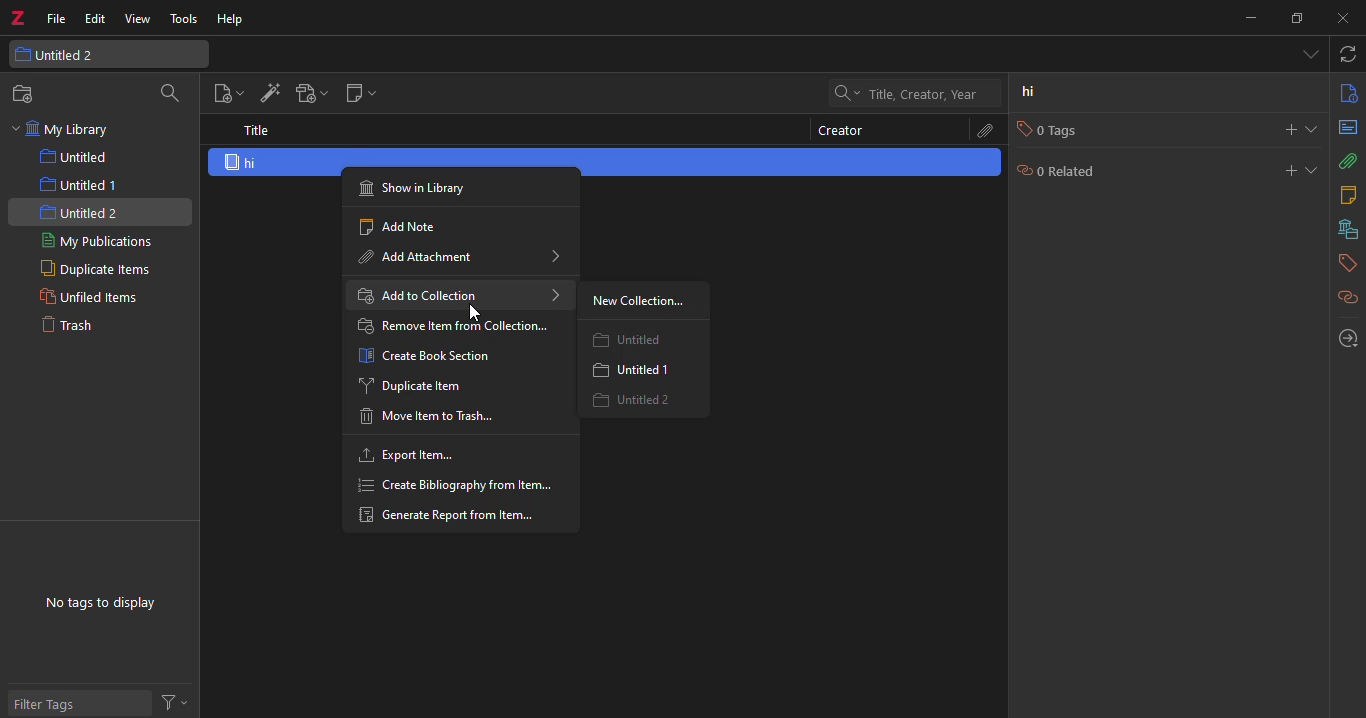  Describe the element at coordinates (1313, 128) in the screenshot. I see `expand` at that location.